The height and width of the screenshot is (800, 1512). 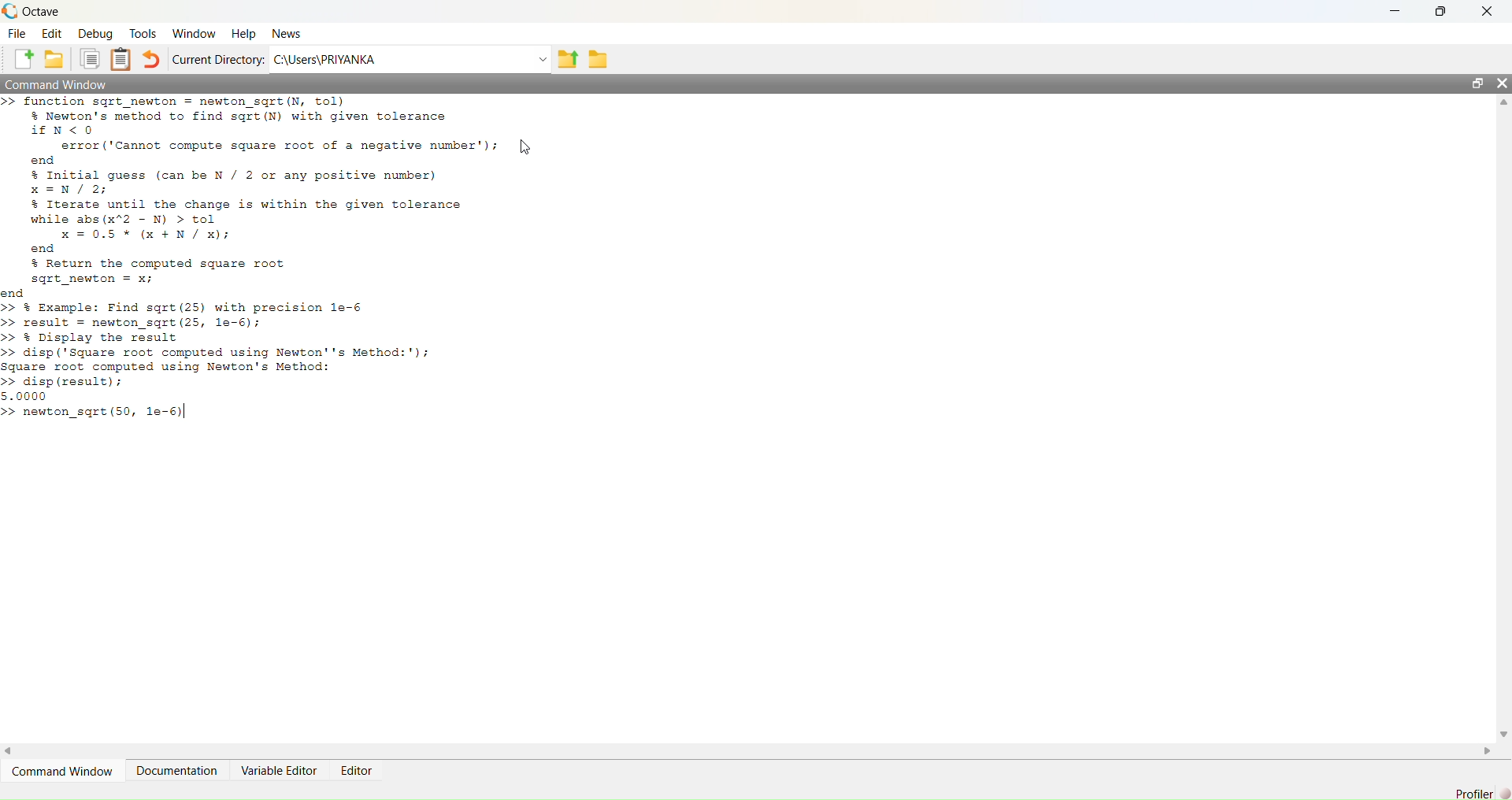 What do you see at coordinates (152, 58) in the screenshot?
I see `Undo` at bounding box center [152, 58].